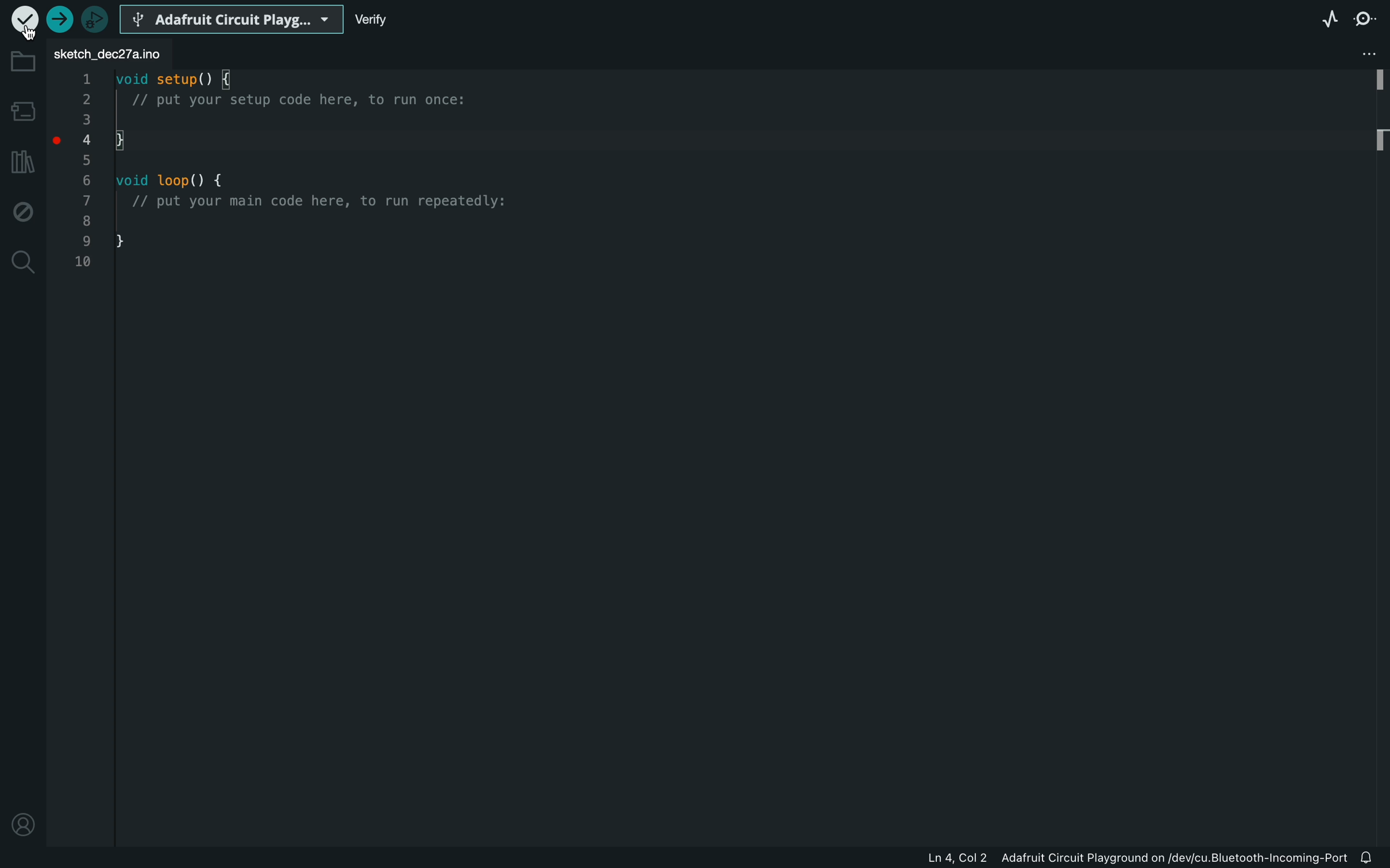 The width and height of the screenshot is (1390, 868). What do you see at coordinates (22, 111) in the screenshot?
I see `board manager` at bounding box center [22, 111].